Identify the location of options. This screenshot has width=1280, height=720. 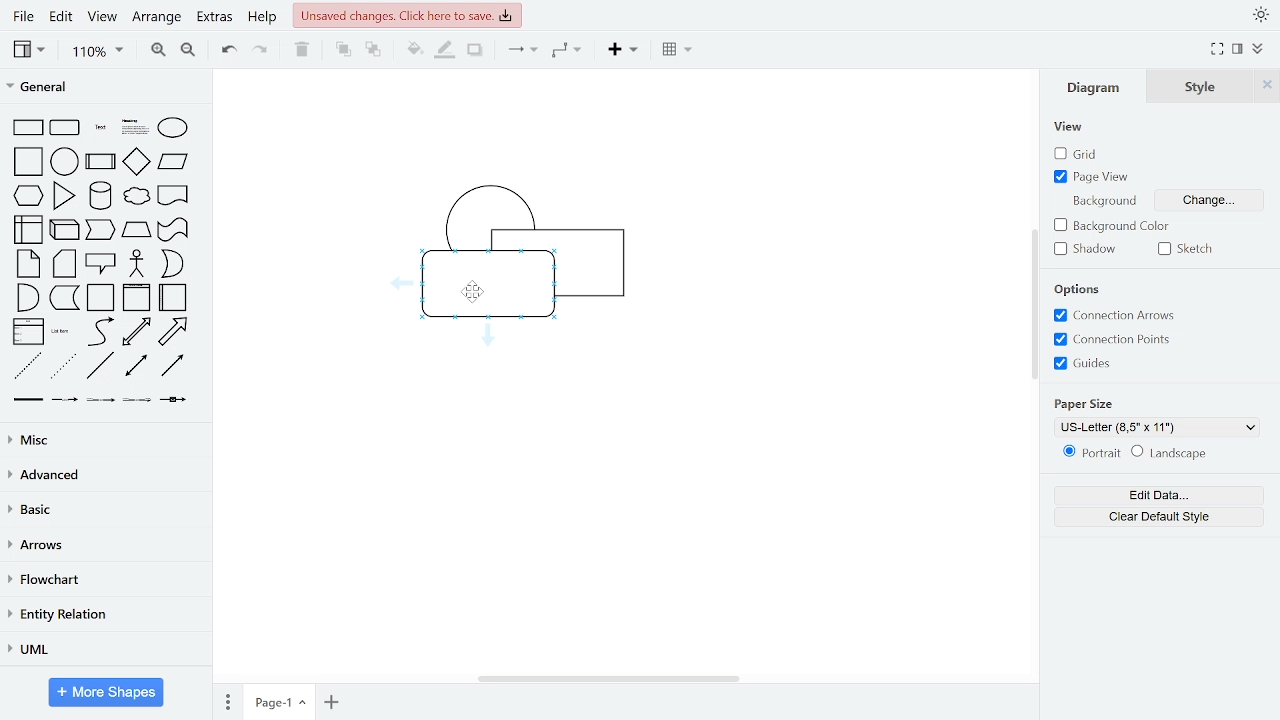
(1077, 290).